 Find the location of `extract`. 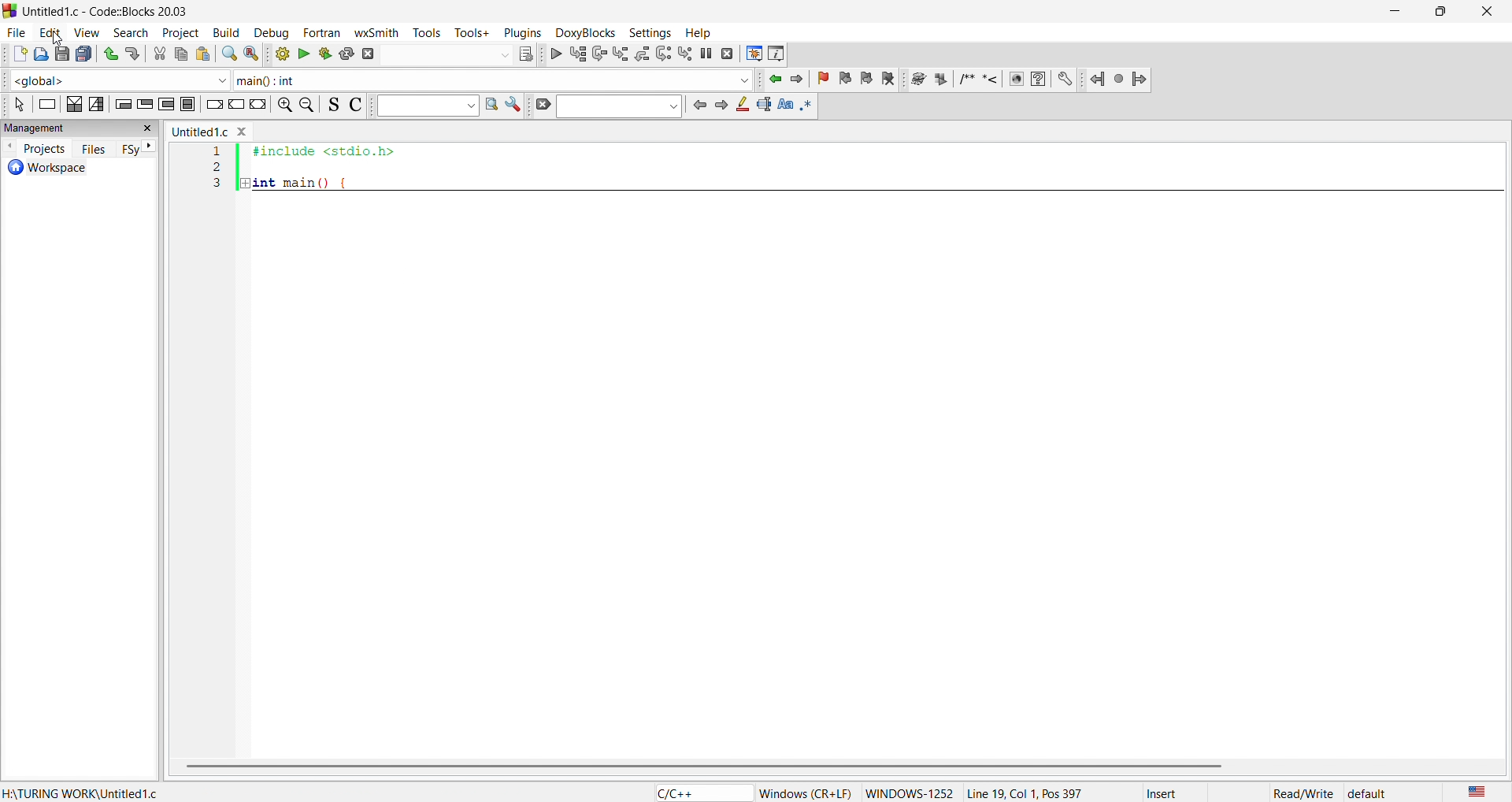

extract is located at coordinates (942, 80).